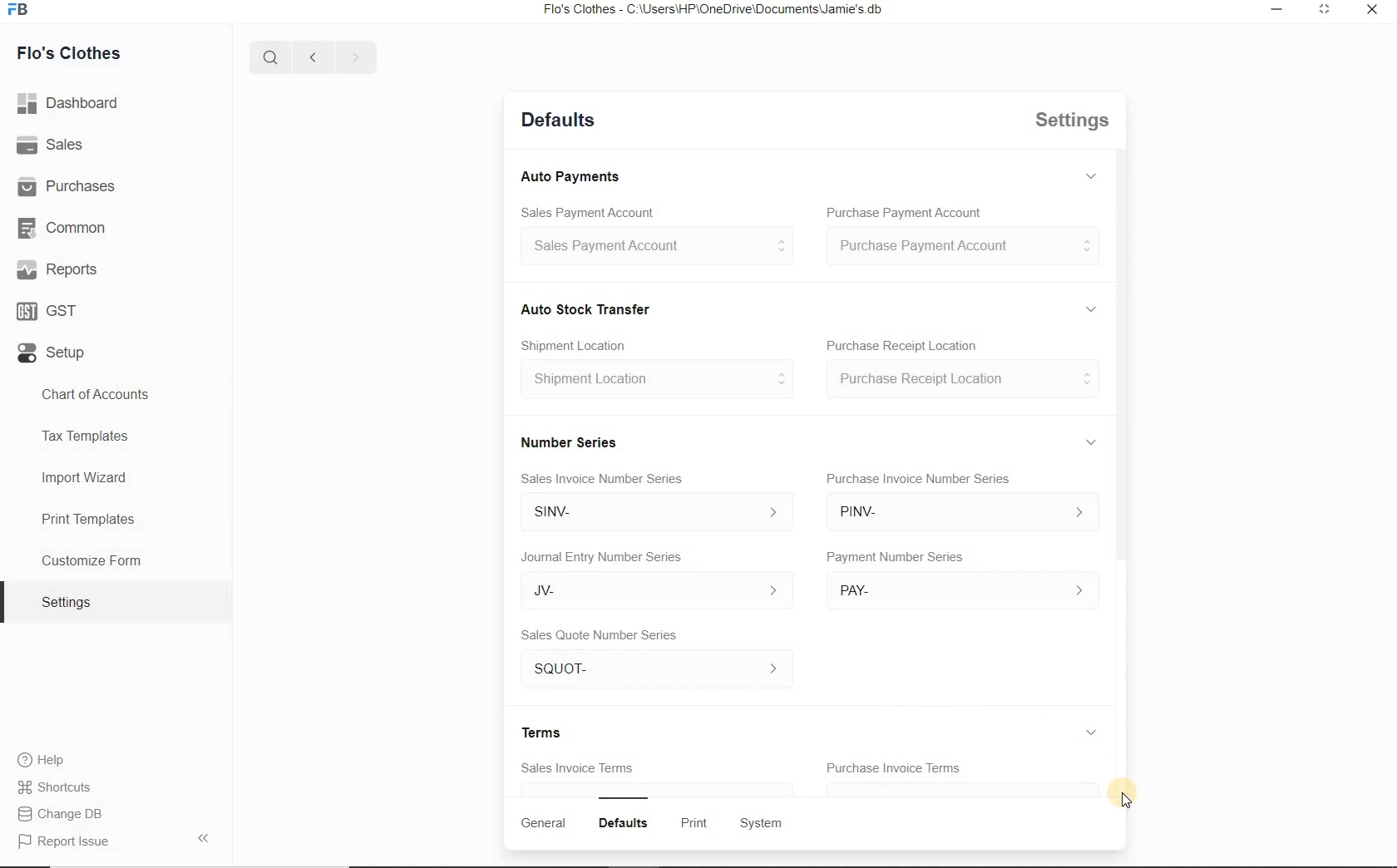 This screenshot has width=1397, height=868. I want to click on umber Series Payment Number Series, so click(897, 555).